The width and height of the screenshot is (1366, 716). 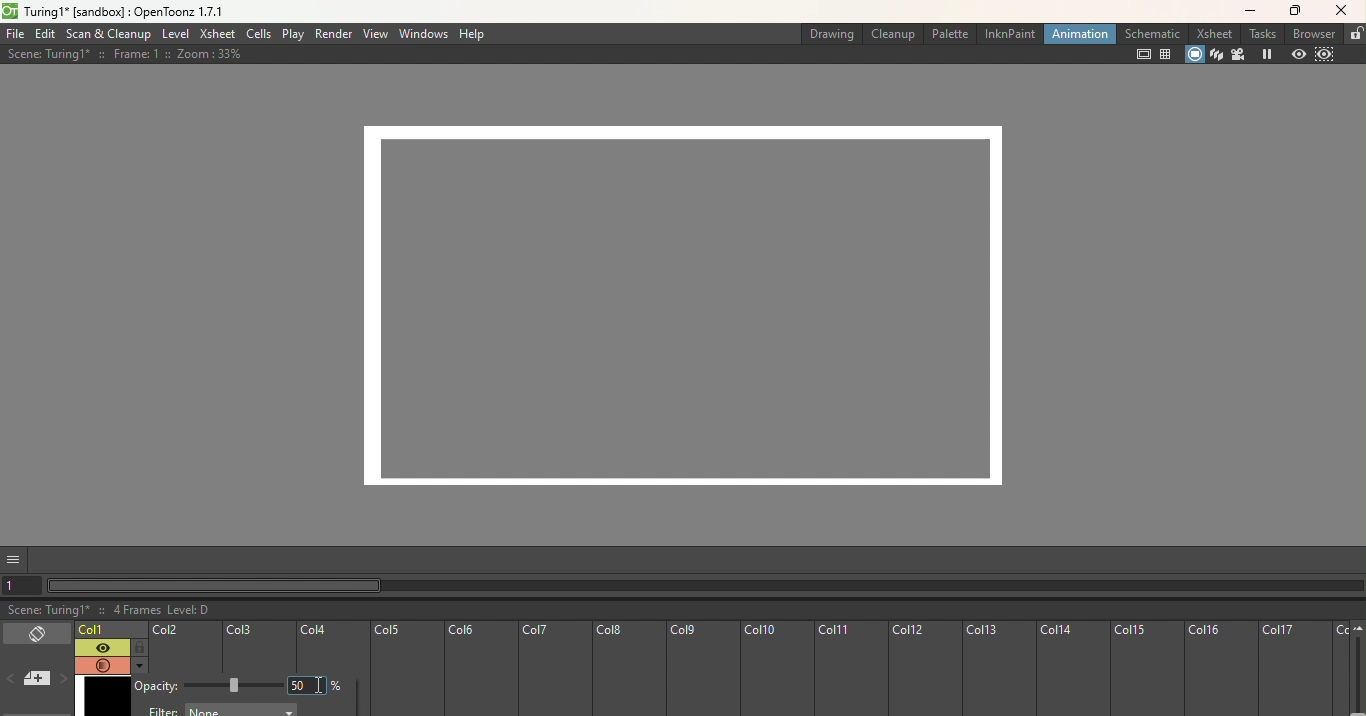 What do you see at coordinates (1357, 676) in the screenshot?
I see `zoom in/out of timeline` at bounding box center [1357, 676].